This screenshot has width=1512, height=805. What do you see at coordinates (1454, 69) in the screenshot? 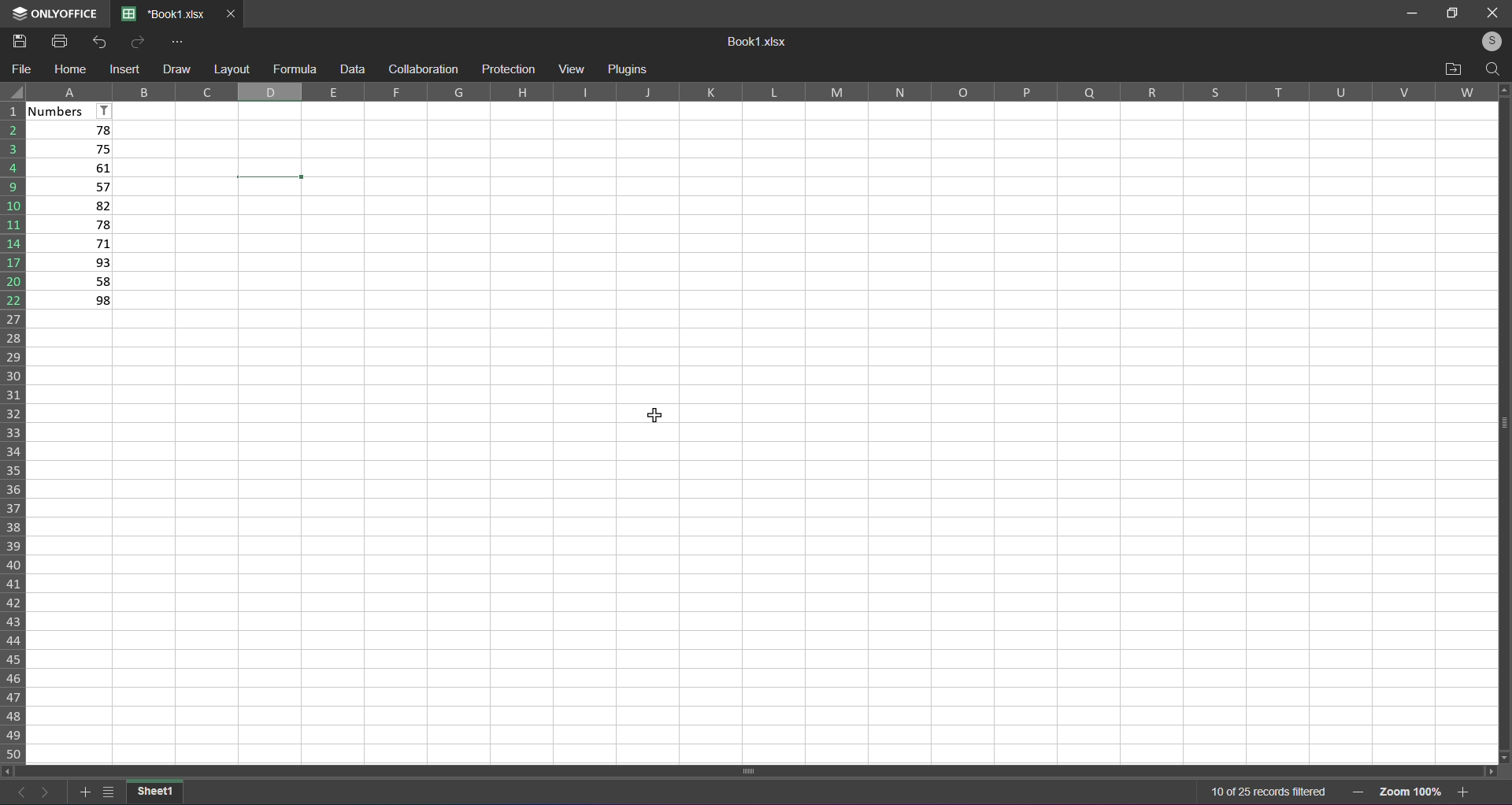
I see `open` at bounding box center [1454, 69].